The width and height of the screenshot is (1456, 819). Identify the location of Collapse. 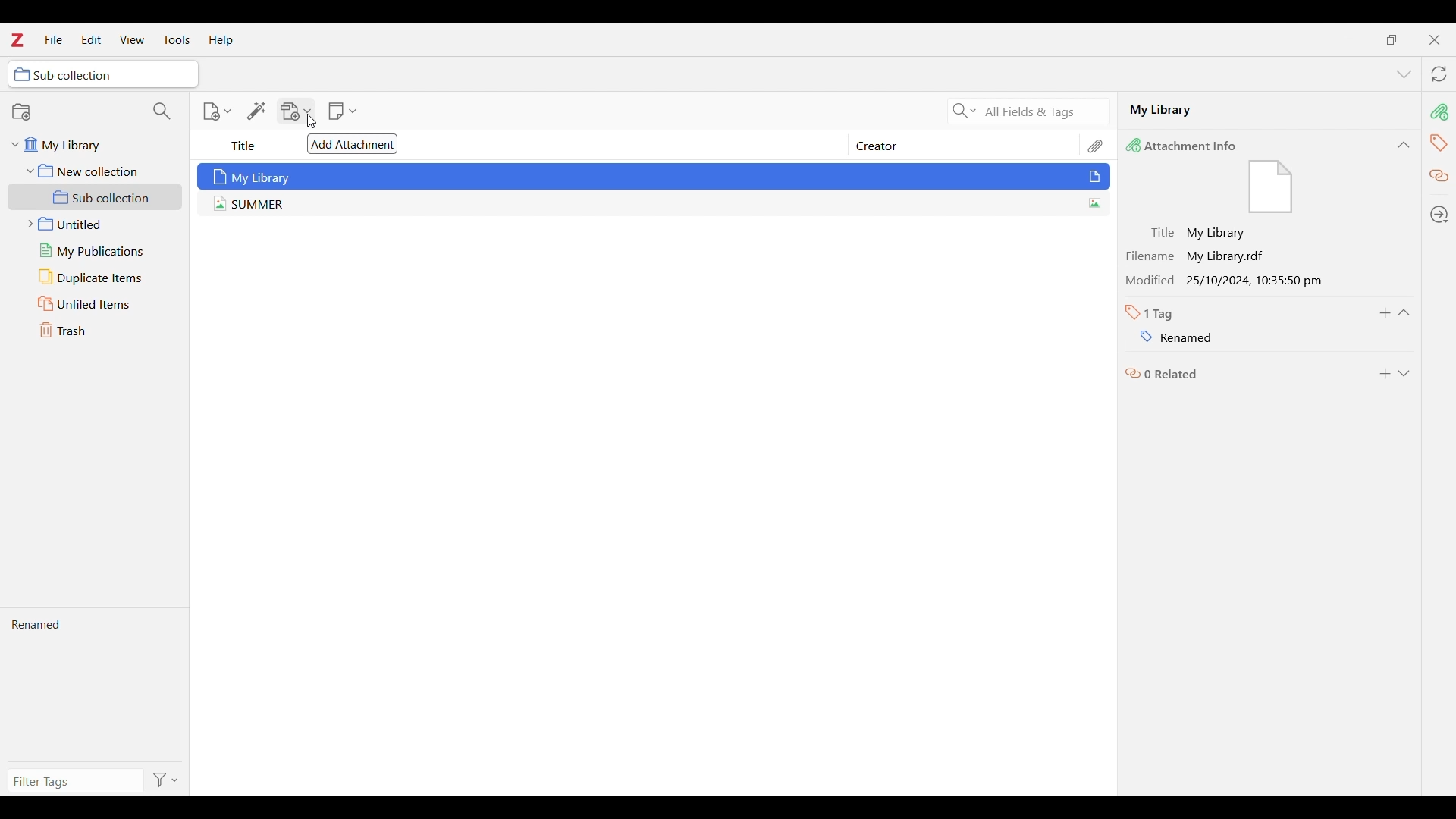
(1404, 312).